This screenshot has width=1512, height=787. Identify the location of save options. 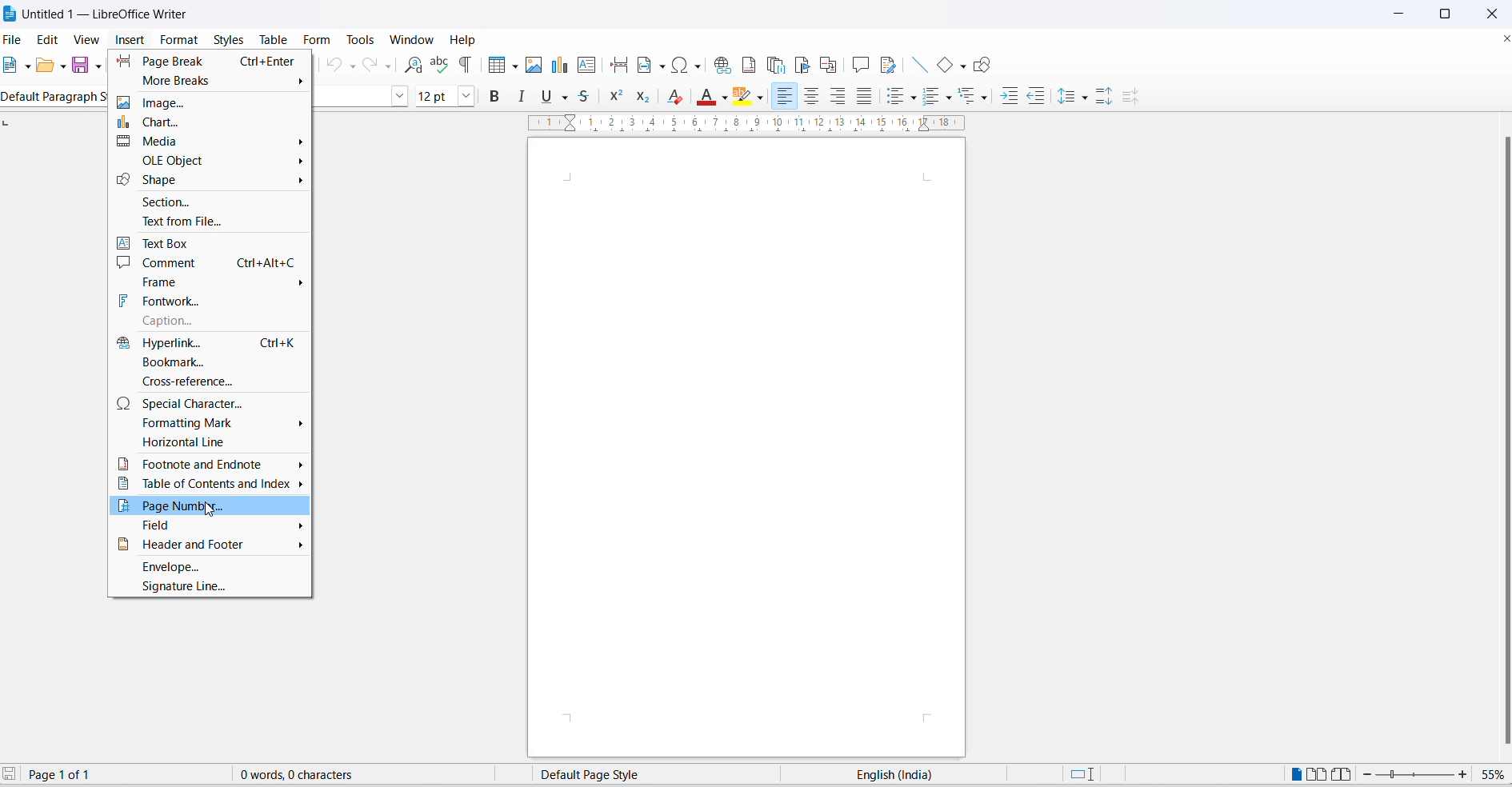
(100, 67).